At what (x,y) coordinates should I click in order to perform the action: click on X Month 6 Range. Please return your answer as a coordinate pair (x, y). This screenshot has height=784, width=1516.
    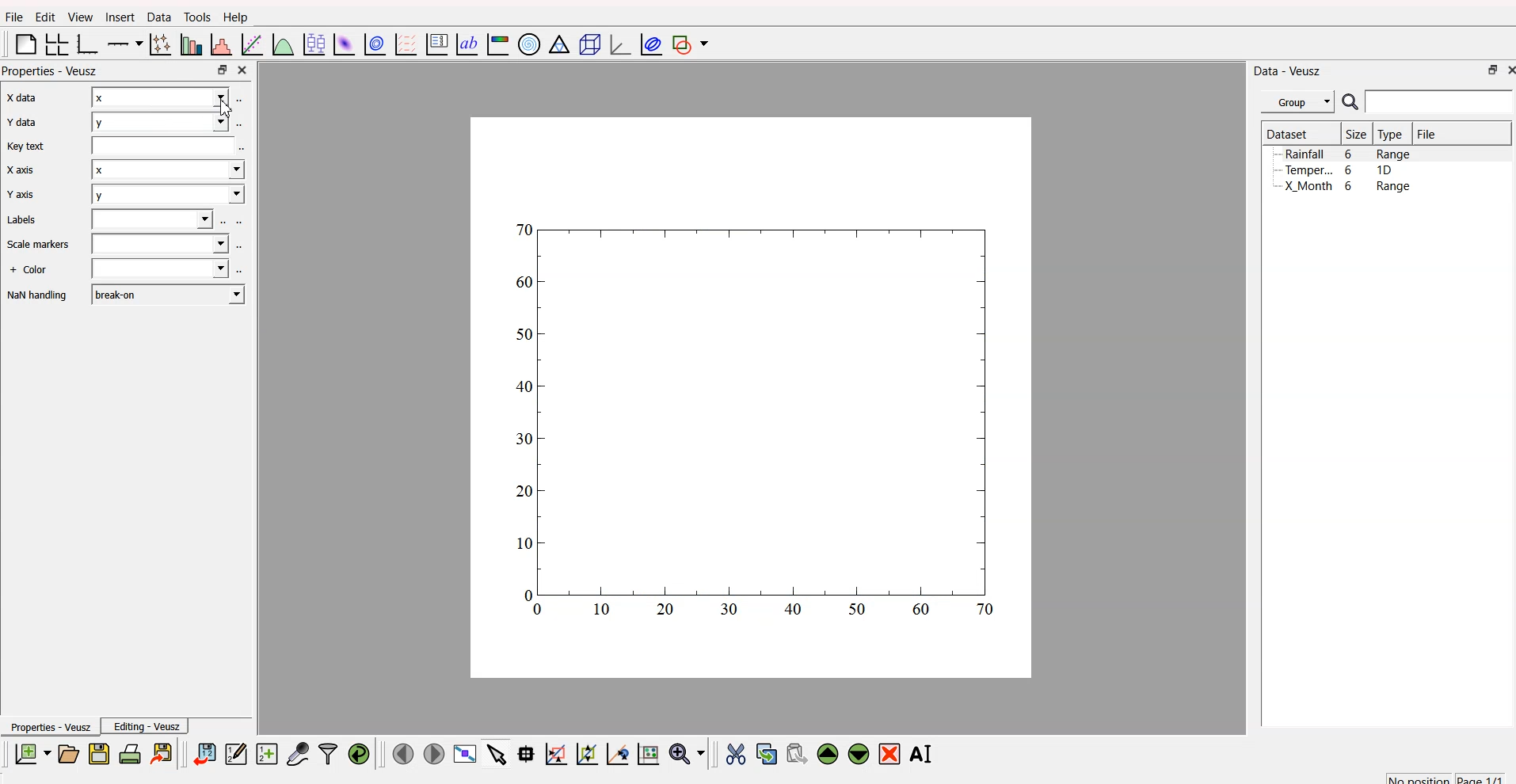
    Looking at the image, I should click on (1347, 186).